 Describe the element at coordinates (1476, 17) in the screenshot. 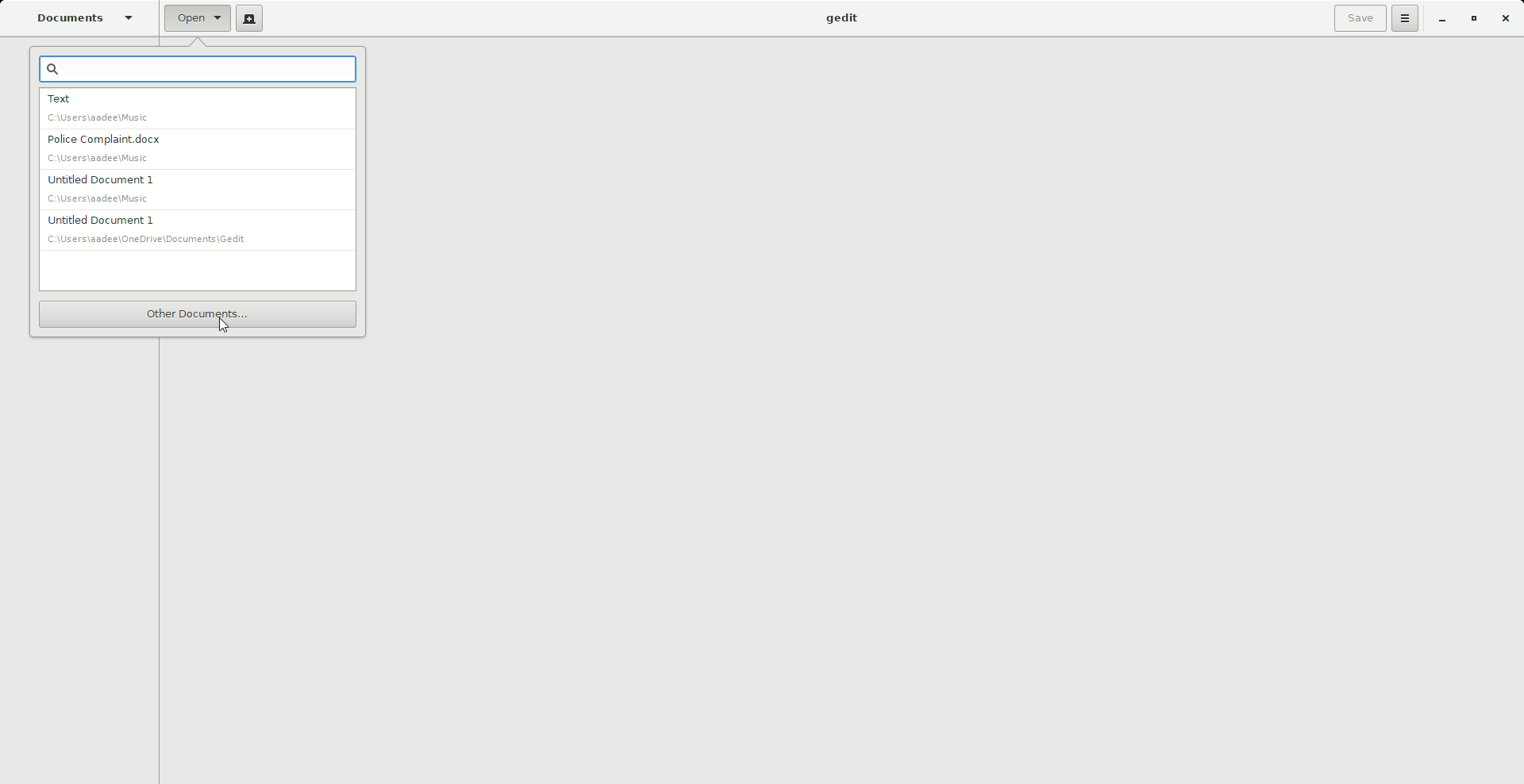

I see `Restore` at that location.